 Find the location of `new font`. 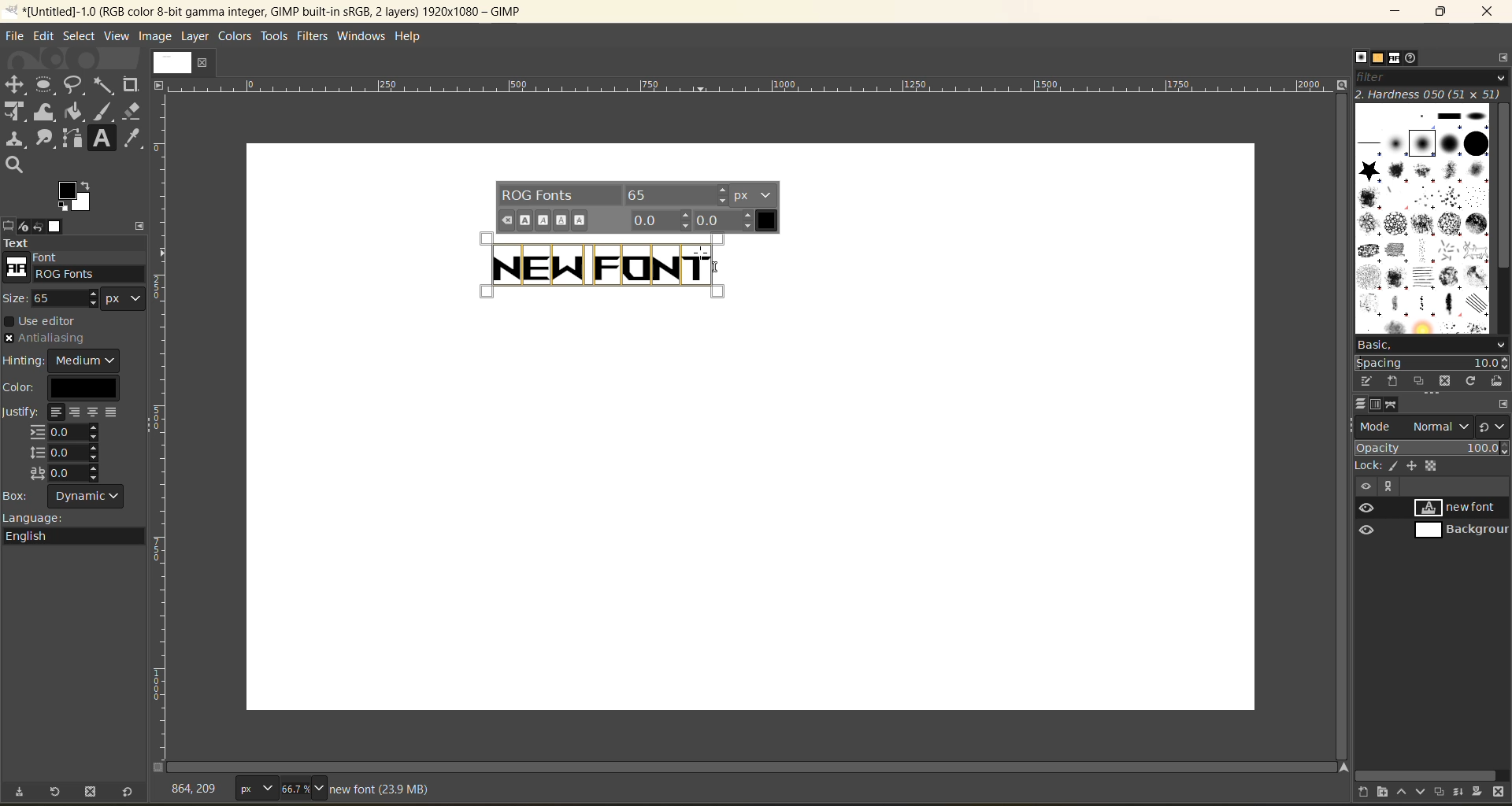

new font is located at coordinates (1462, 507).